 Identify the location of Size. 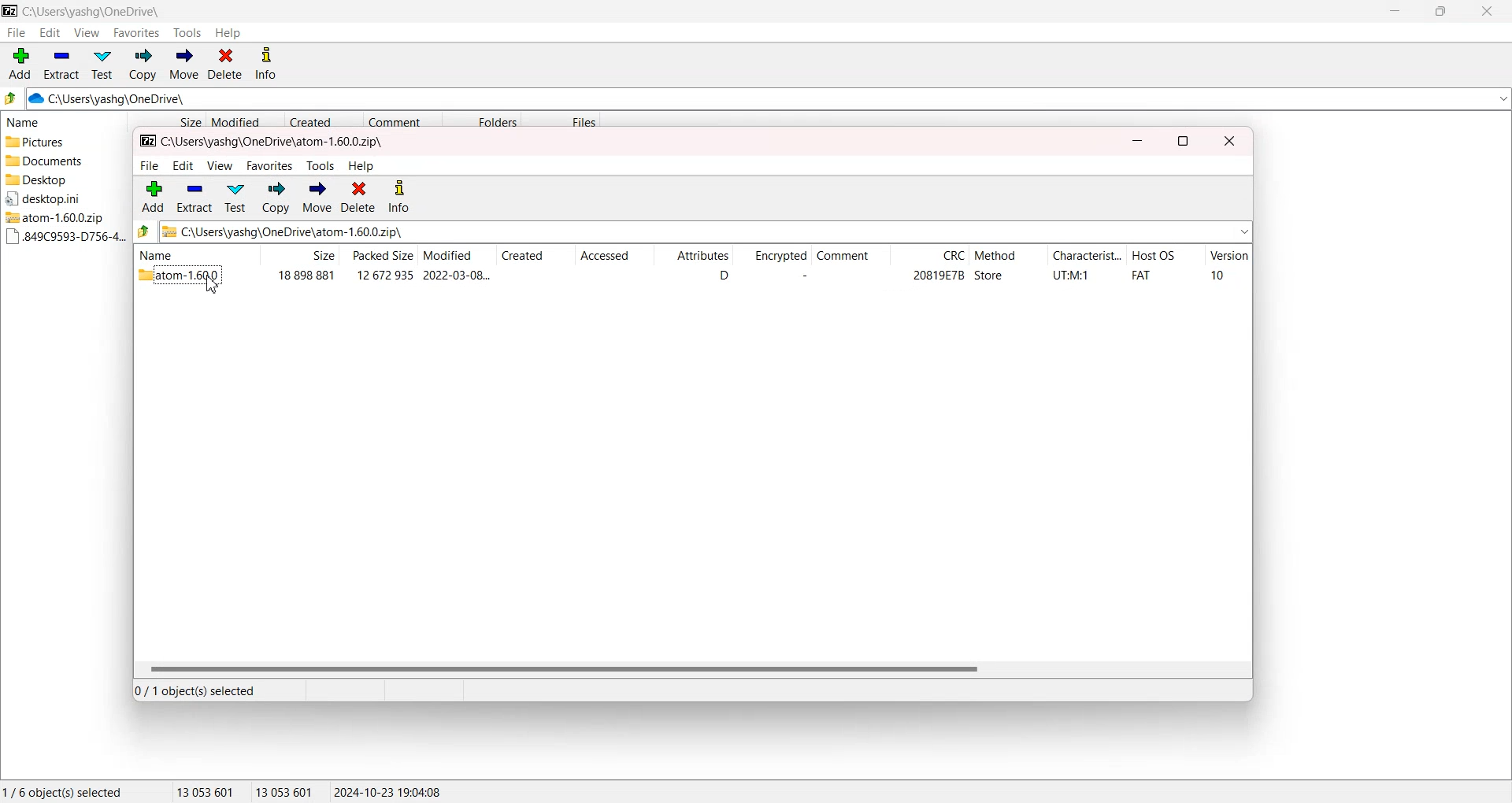
(166, 120).